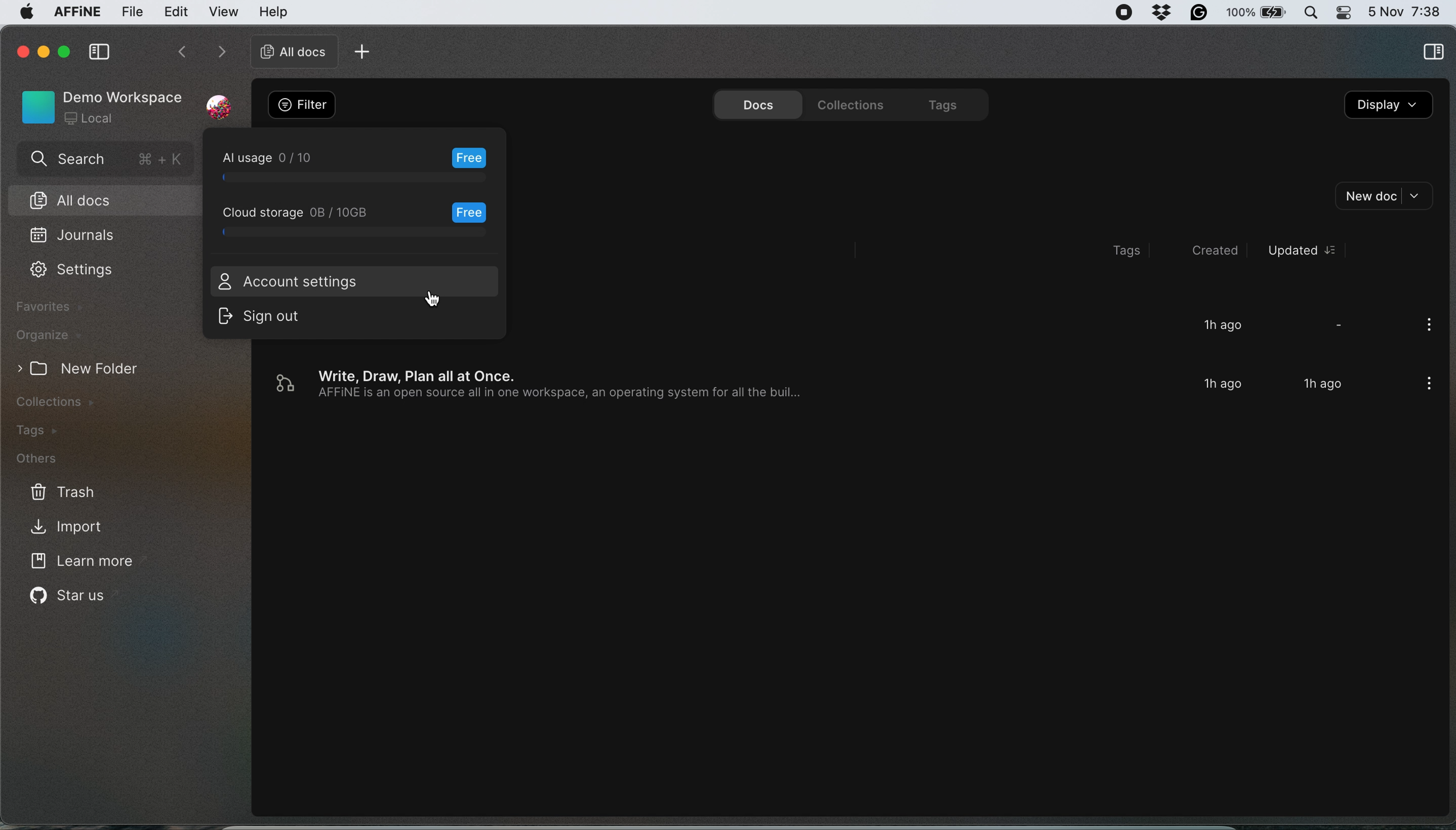  Describe the element at coordinates (103, 199) in the screenshot. I see `all docs` at that location.